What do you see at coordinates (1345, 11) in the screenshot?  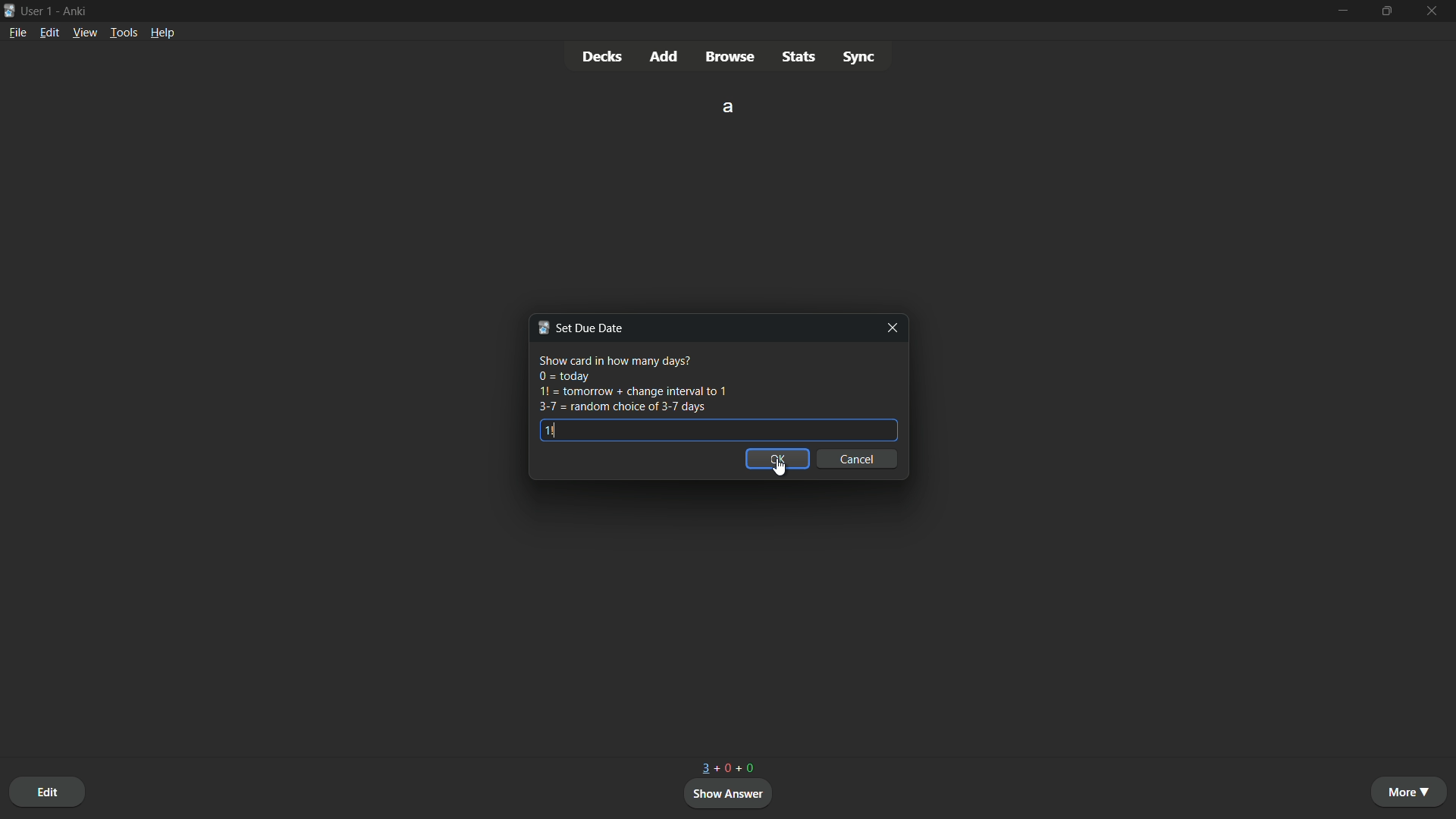 I see `minimize` at bounding box center [1345, 11].